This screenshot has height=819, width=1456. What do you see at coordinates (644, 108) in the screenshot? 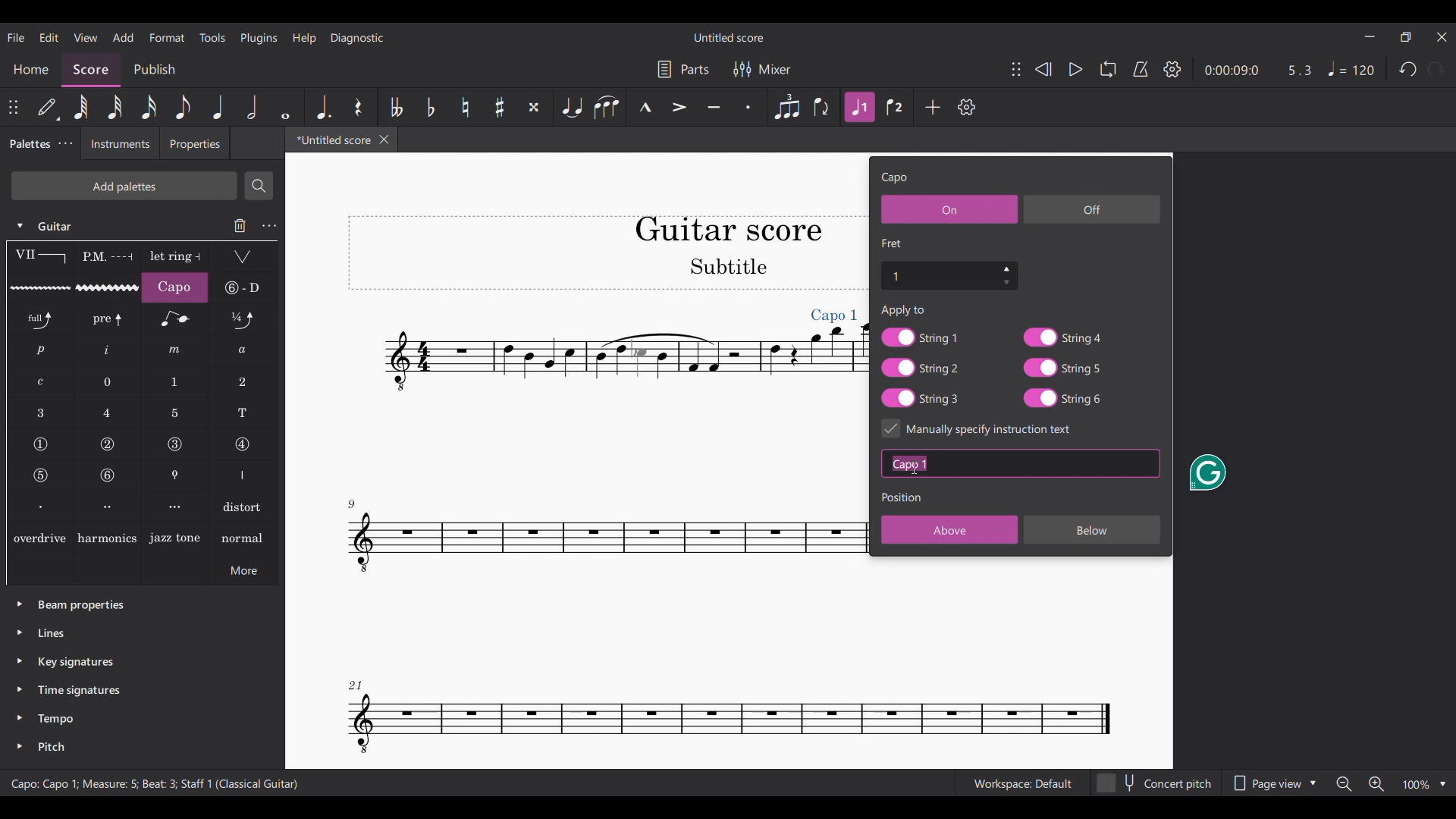
I see `Marcato` at bounding box center [644, 108].